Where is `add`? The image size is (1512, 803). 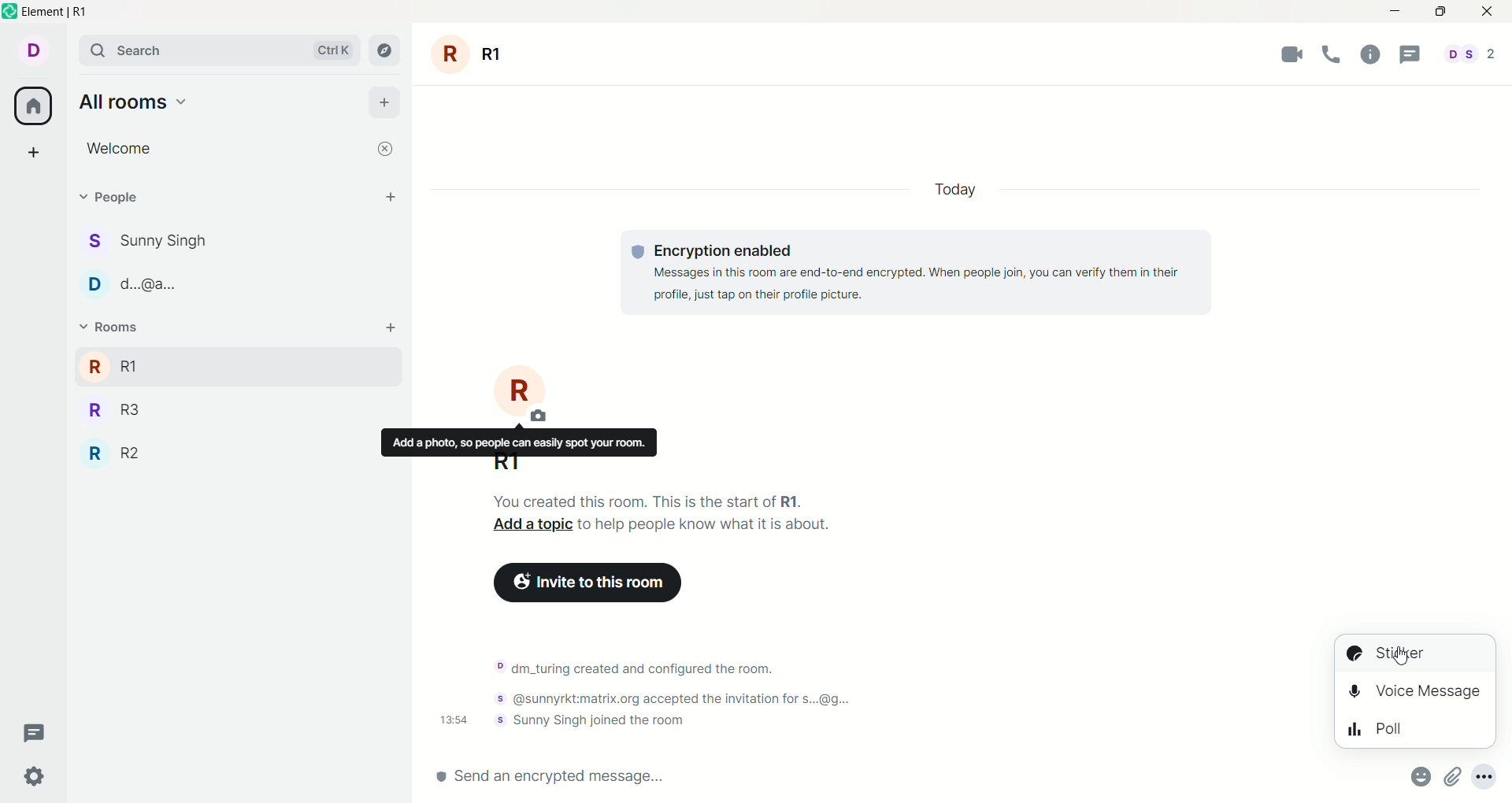 add is located at coordinates (391, 327).